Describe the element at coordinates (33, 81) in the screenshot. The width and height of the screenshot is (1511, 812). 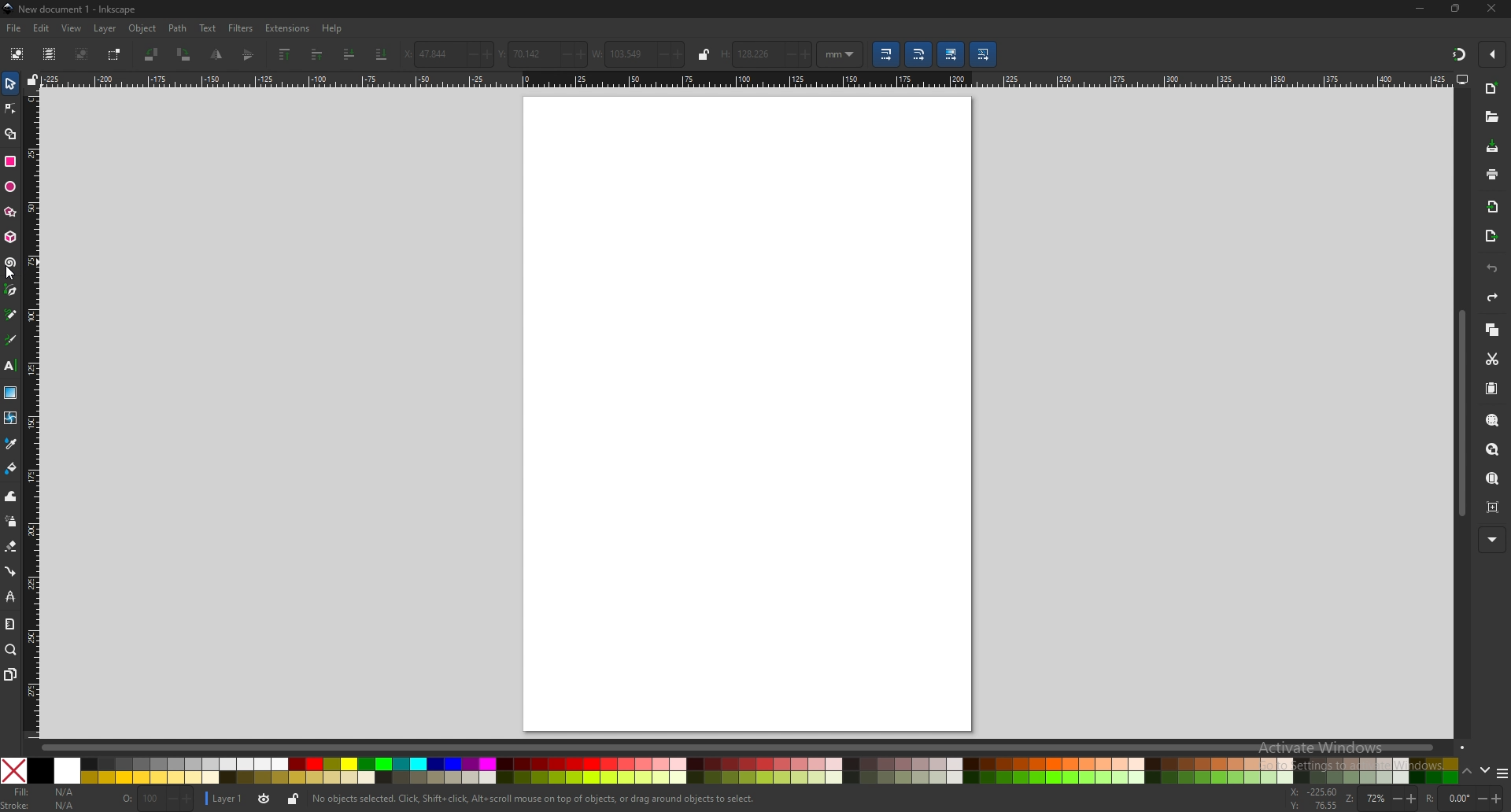
I see `lock guides` at that location.